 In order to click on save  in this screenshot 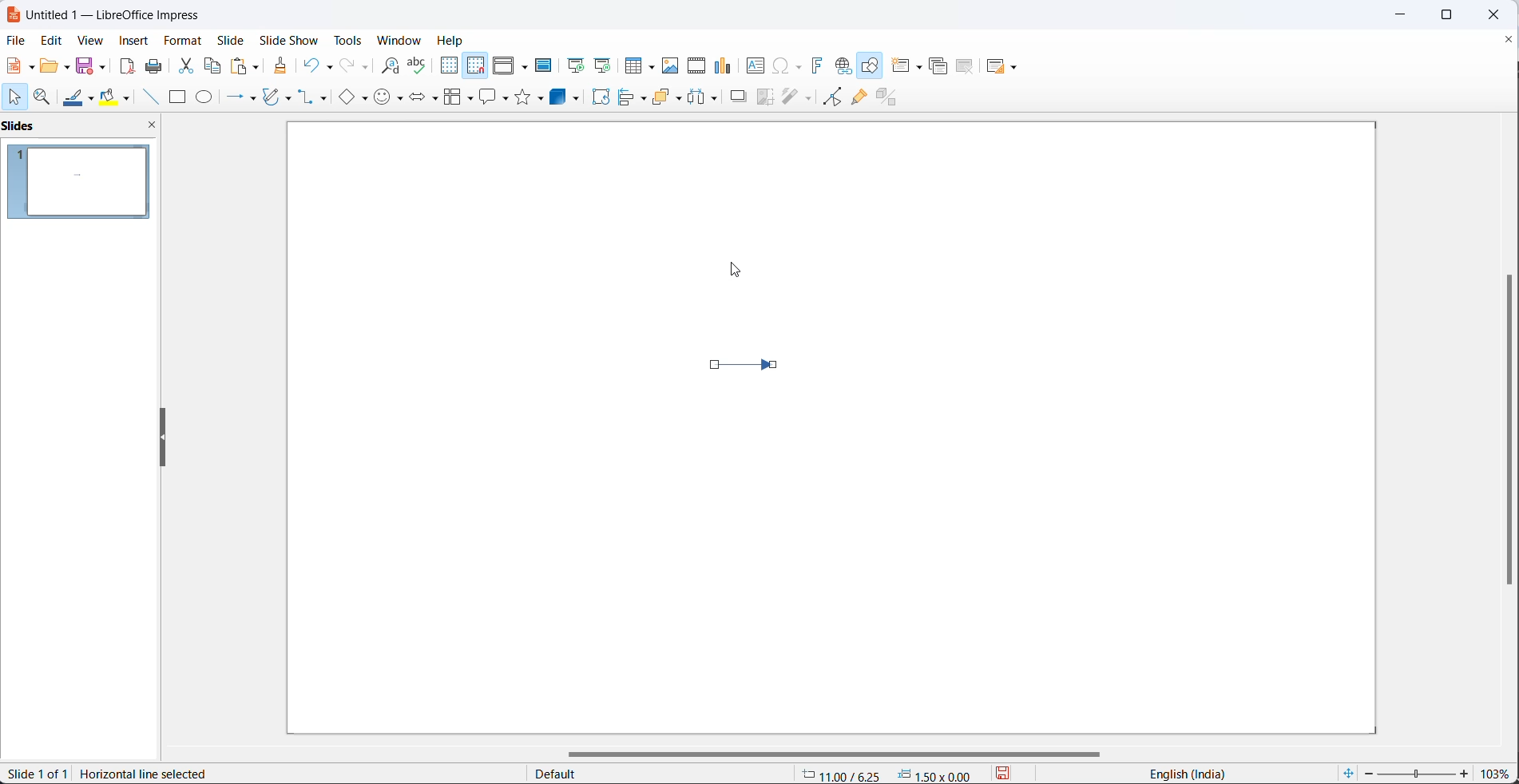, I will do `click(88, 65)`.